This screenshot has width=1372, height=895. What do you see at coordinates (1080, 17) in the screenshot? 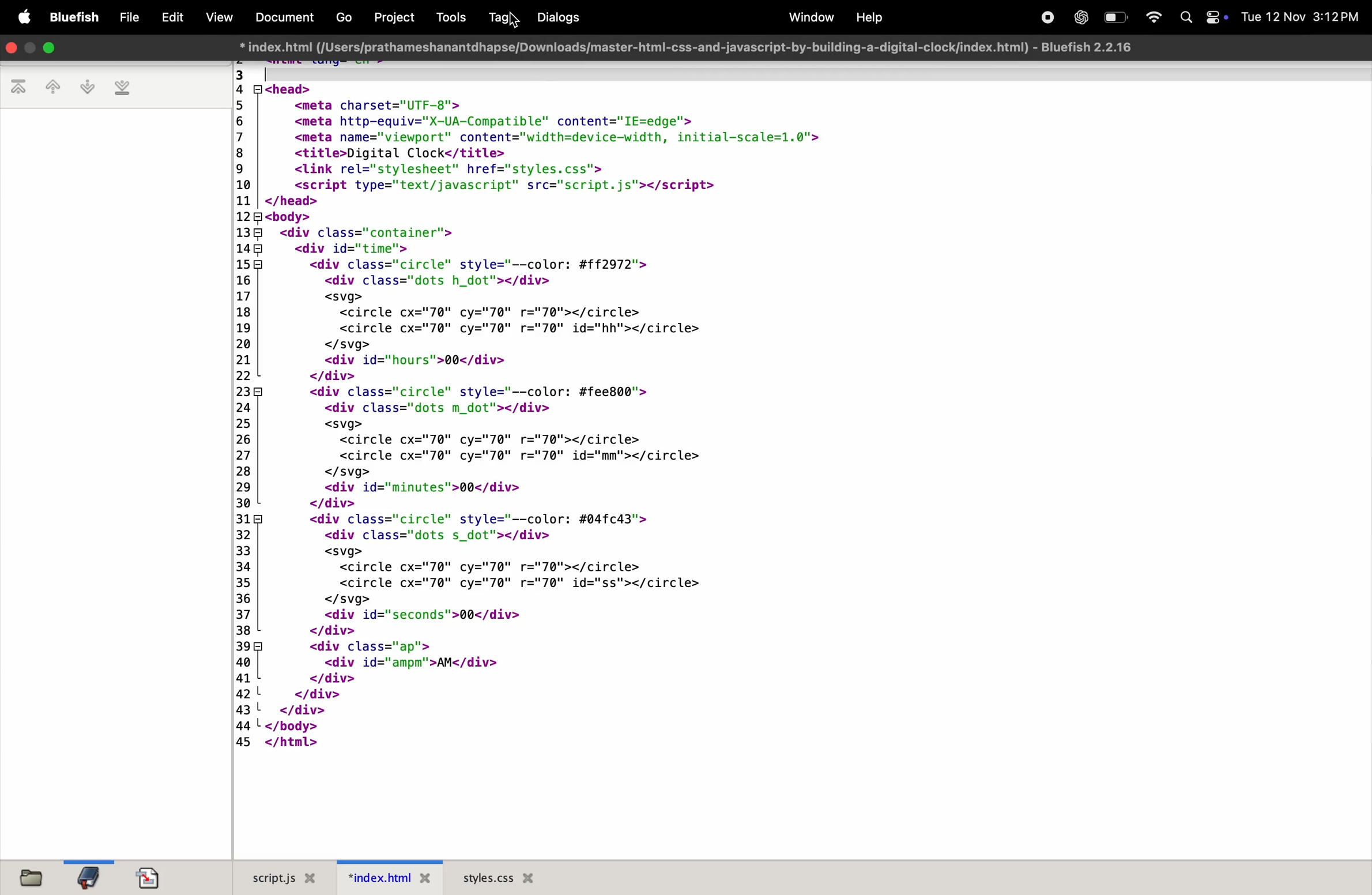
I see `chatgpt` at bounding box center [1080, 17].